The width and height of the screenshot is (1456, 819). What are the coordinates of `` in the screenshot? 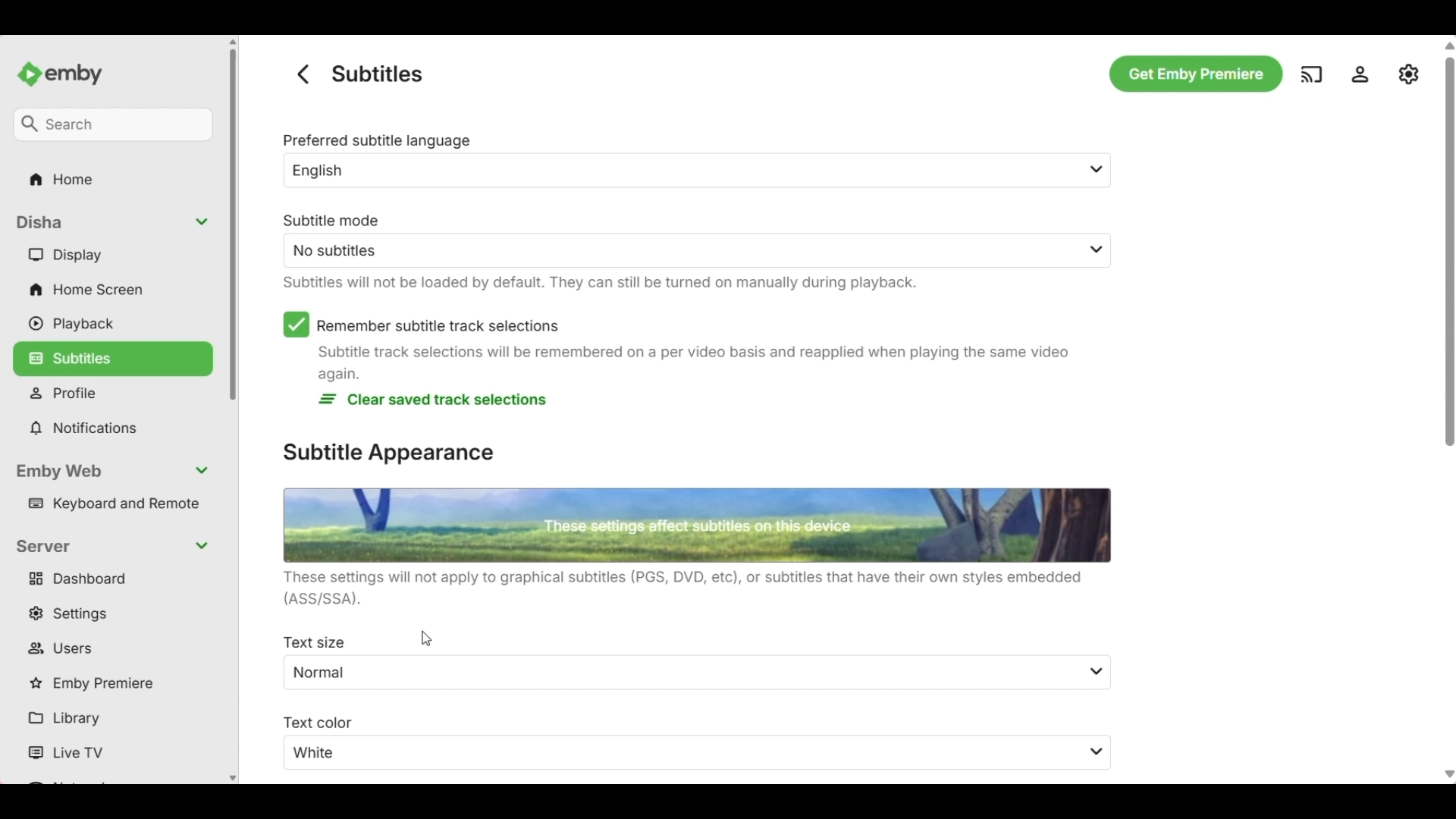 It's located at (299, 74).